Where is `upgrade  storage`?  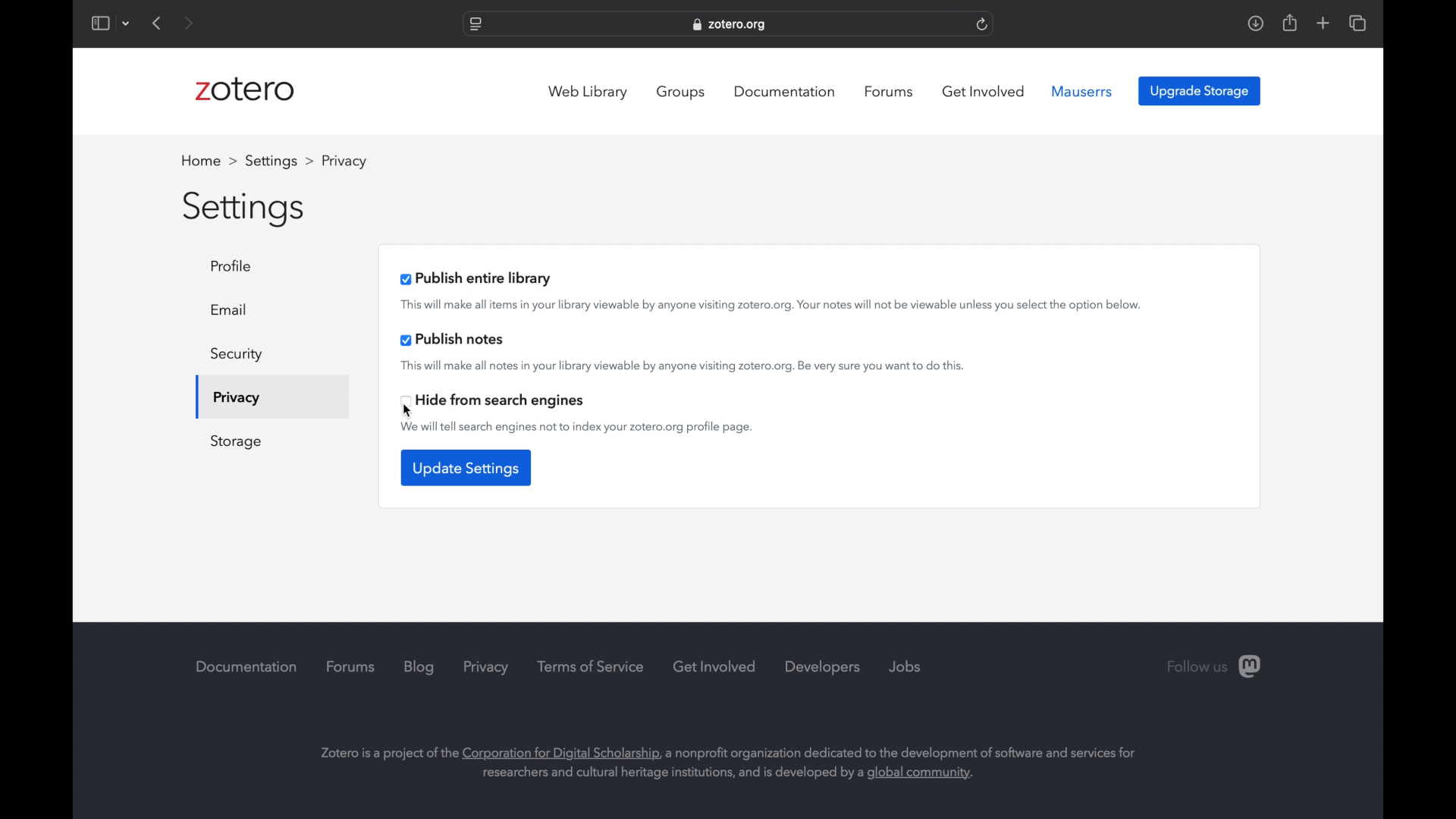
upgrade  storage is located at coordinates (1200, 91).